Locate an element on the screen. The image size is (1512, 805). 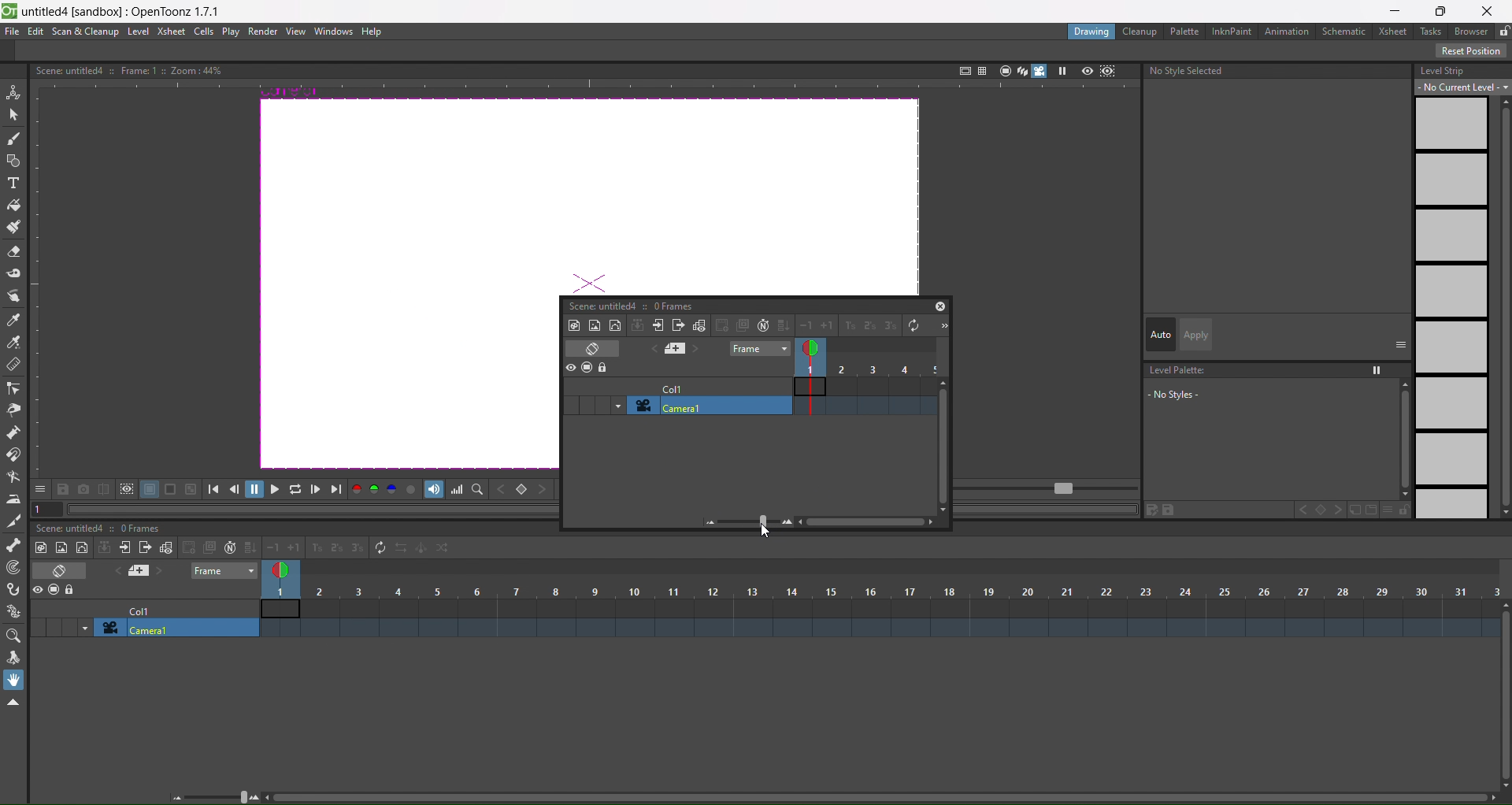
style picker tool is located at coordinates (13, 321).